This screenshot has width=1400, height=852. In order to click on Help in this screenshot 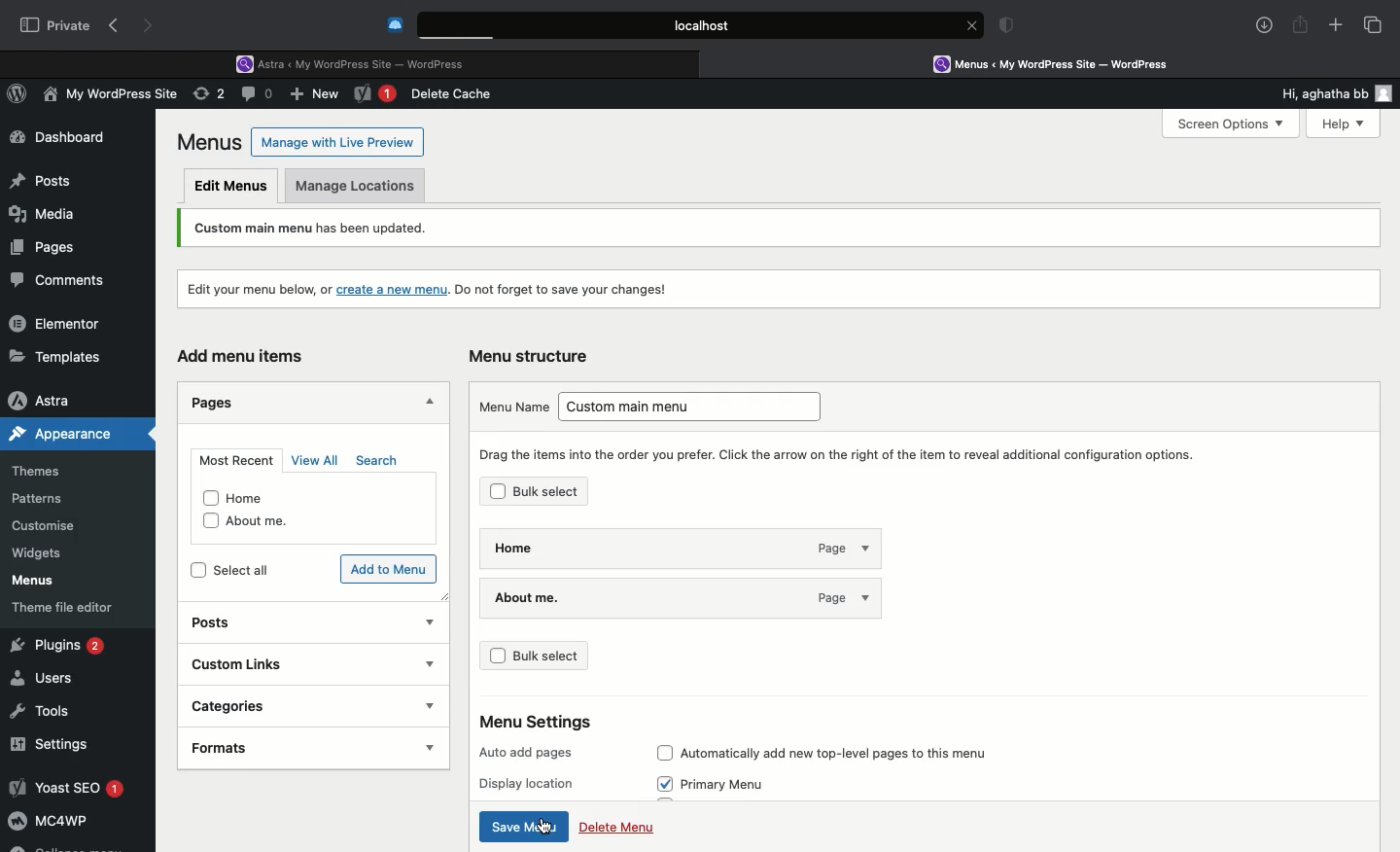, I will do `click(1335, 124)`.